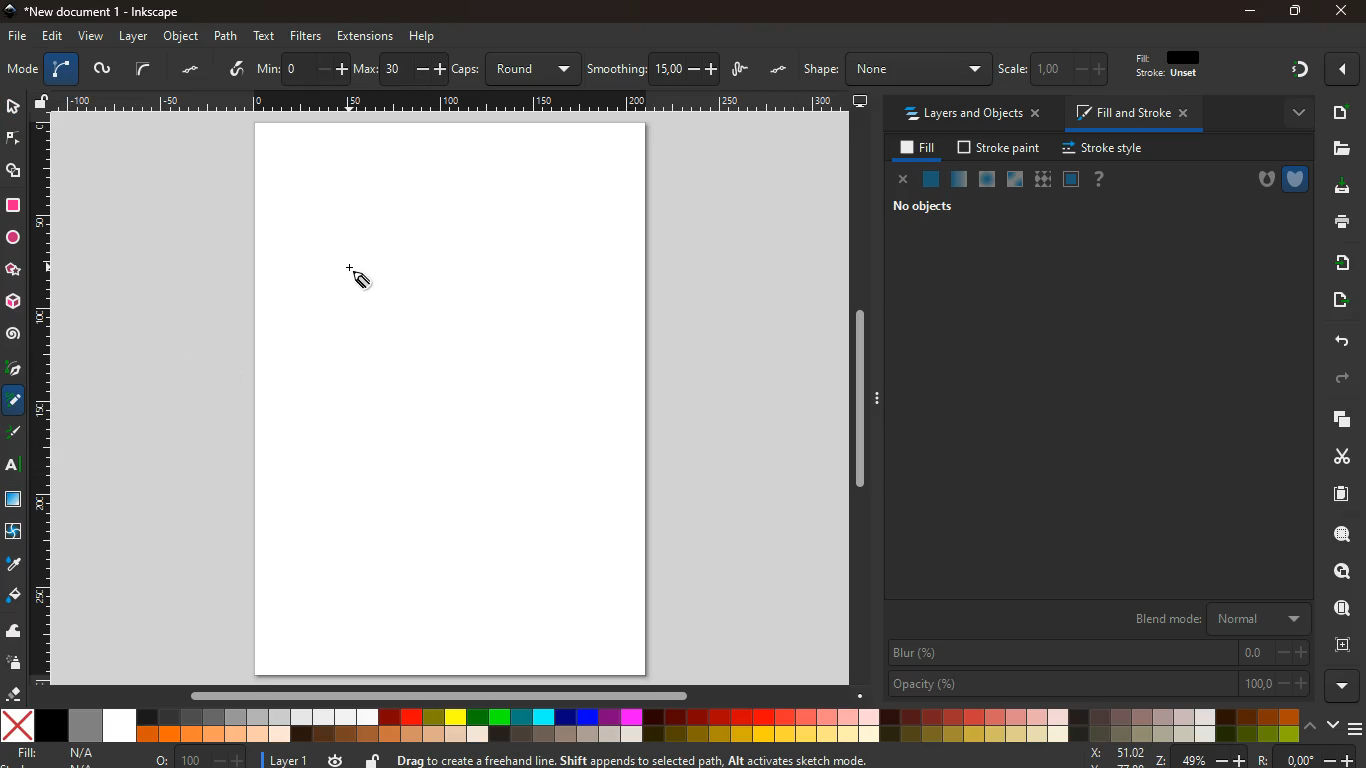 The image size is (1366, 768). I want to click on use, so click(1343, 609).